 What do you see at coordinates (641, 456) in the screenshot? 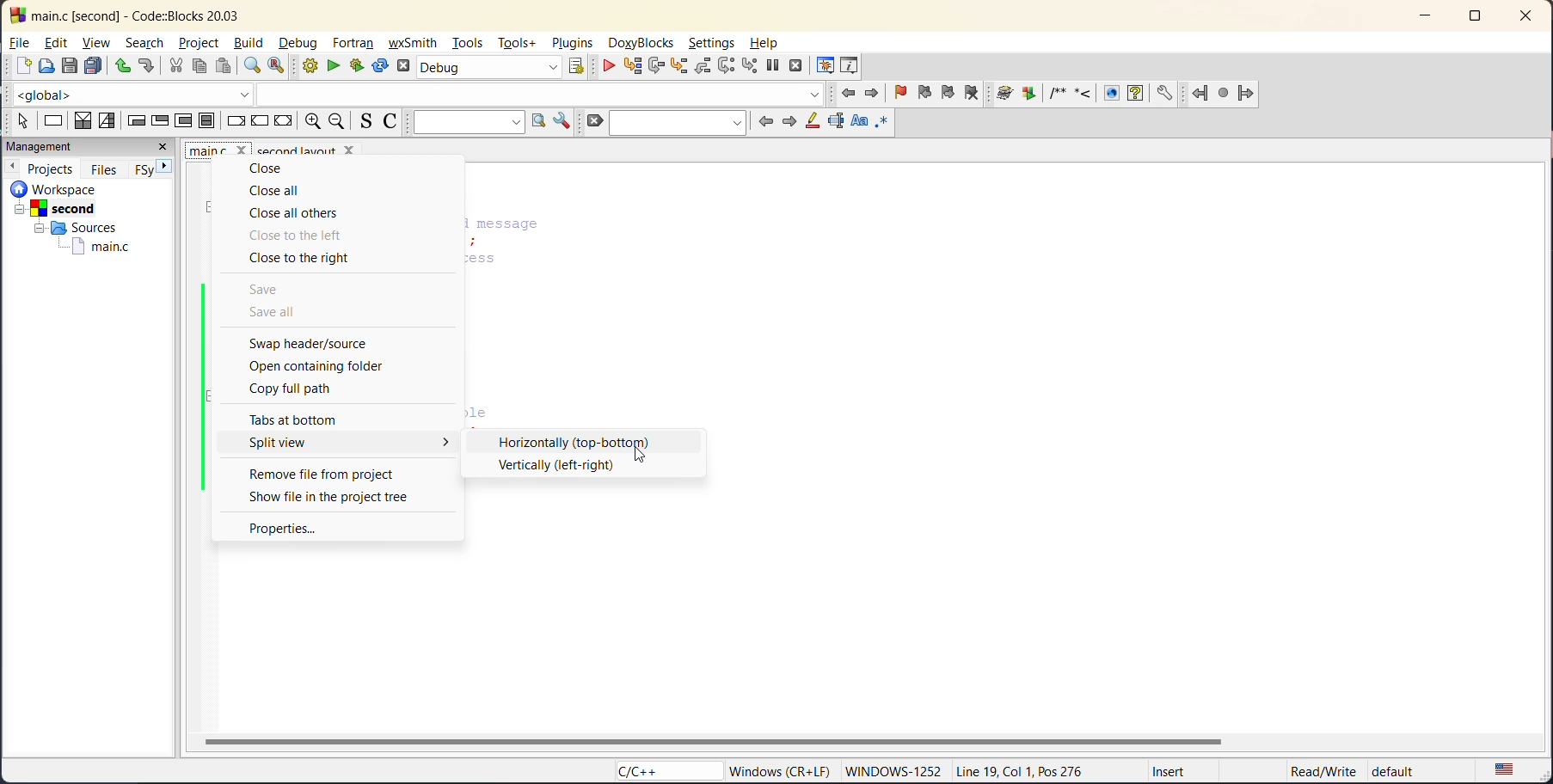
I see `cursor` at bounding box center [641, 456].